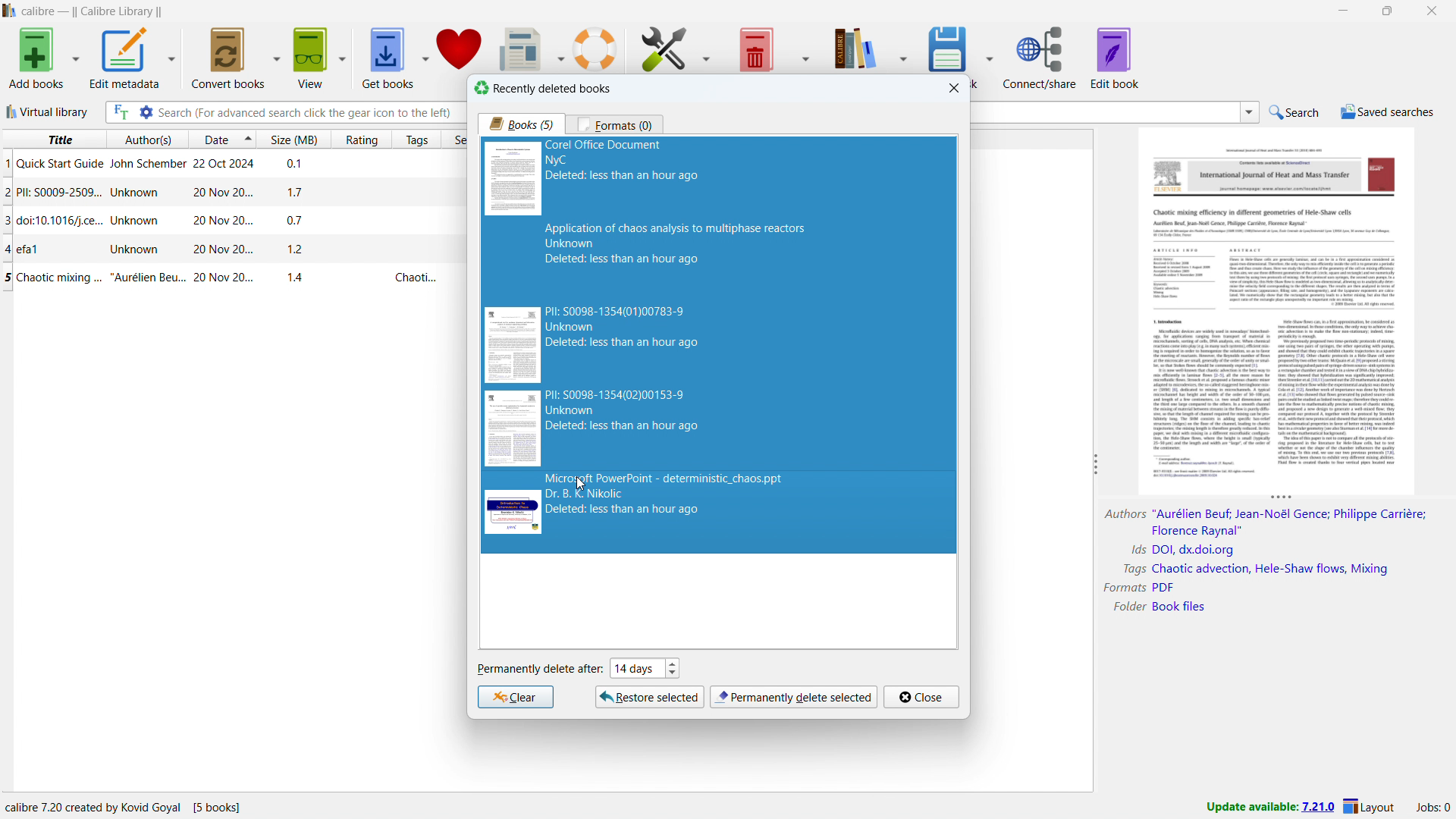  I want to click on fetch news options, so click(557, 48).